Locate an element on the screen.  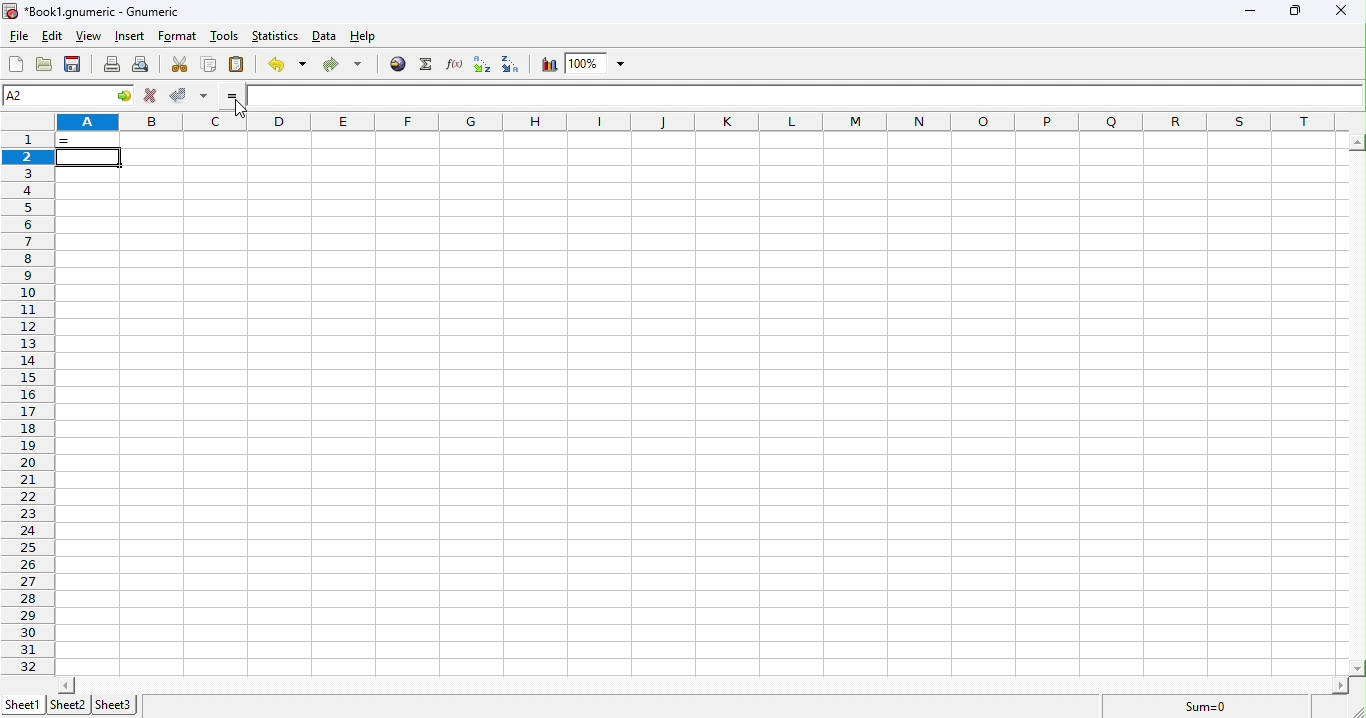
cell options is located at coordinates (125, 95).